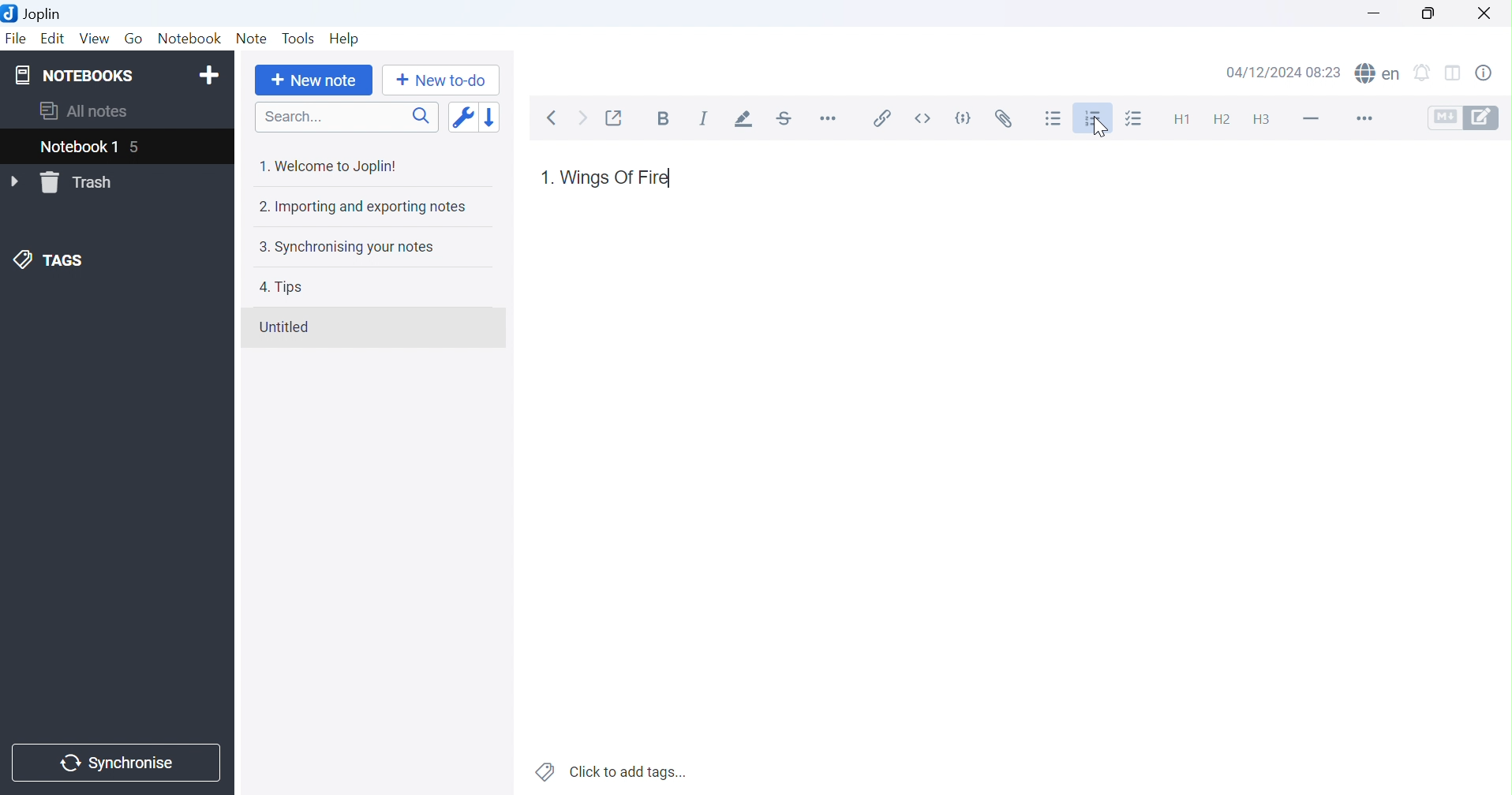  What do you see at coordinates (462, 118) in the screenshot?
I see `Toggle reverse order field` at bounding box center [462, 118].